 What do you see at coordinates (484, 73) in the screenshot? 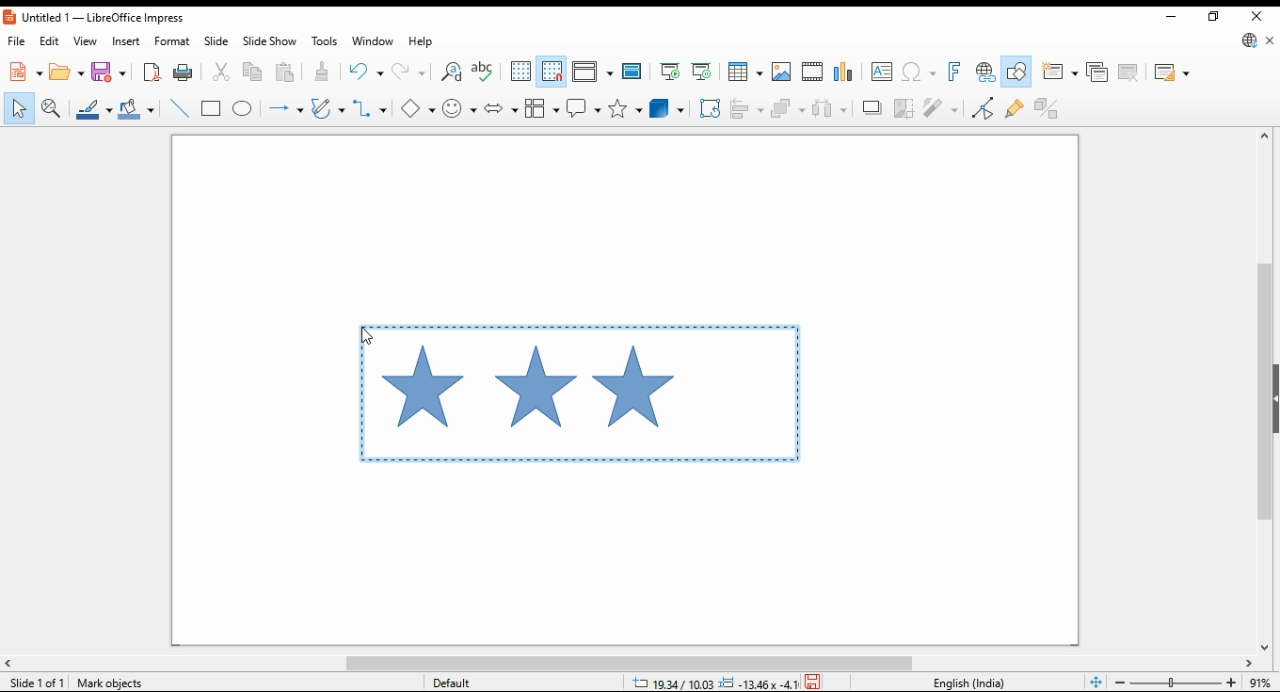
I see `check spelling` at bounding box center [484, 73].